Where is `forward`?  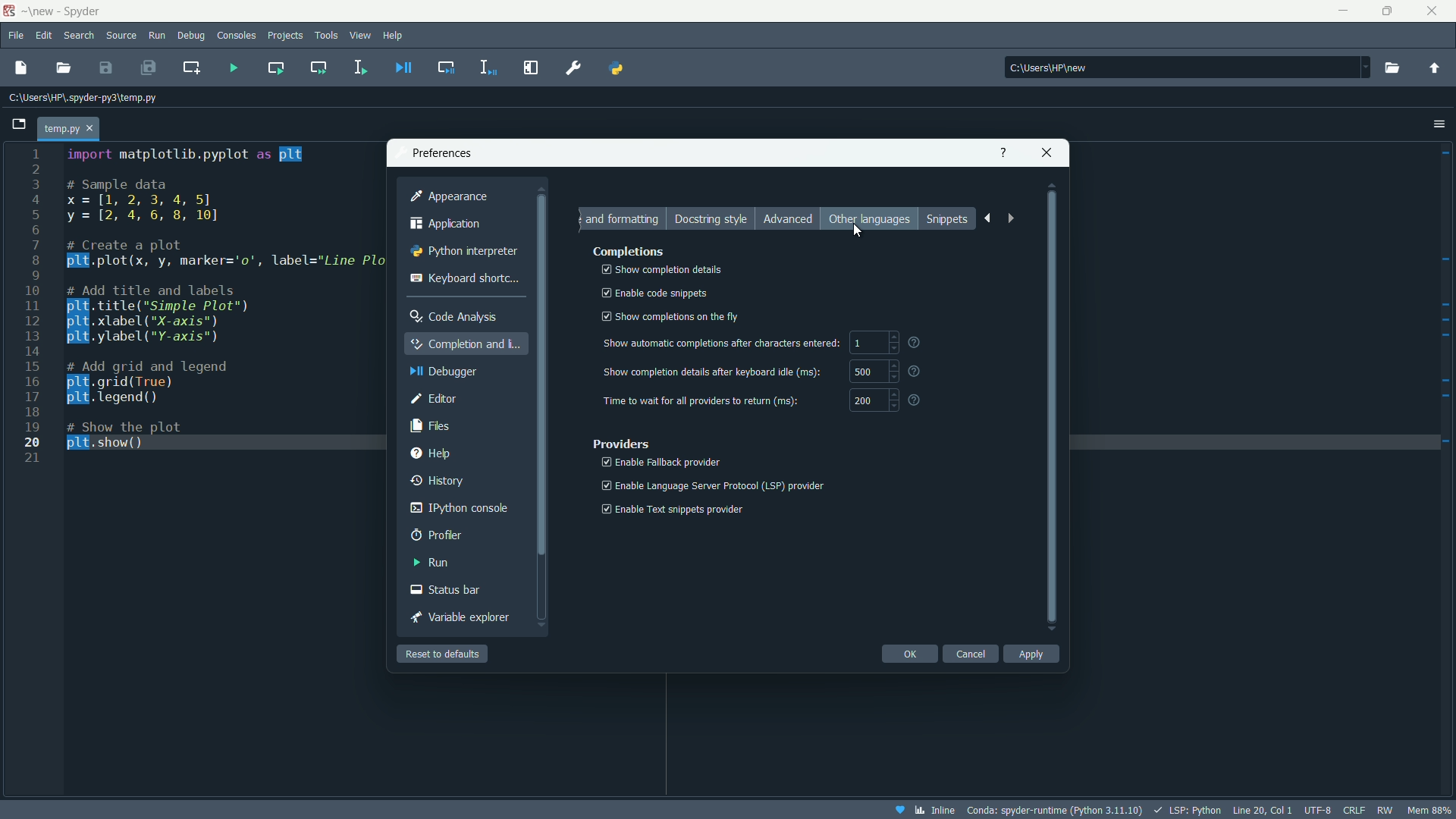 forward is located at coordinates (1013, 220).